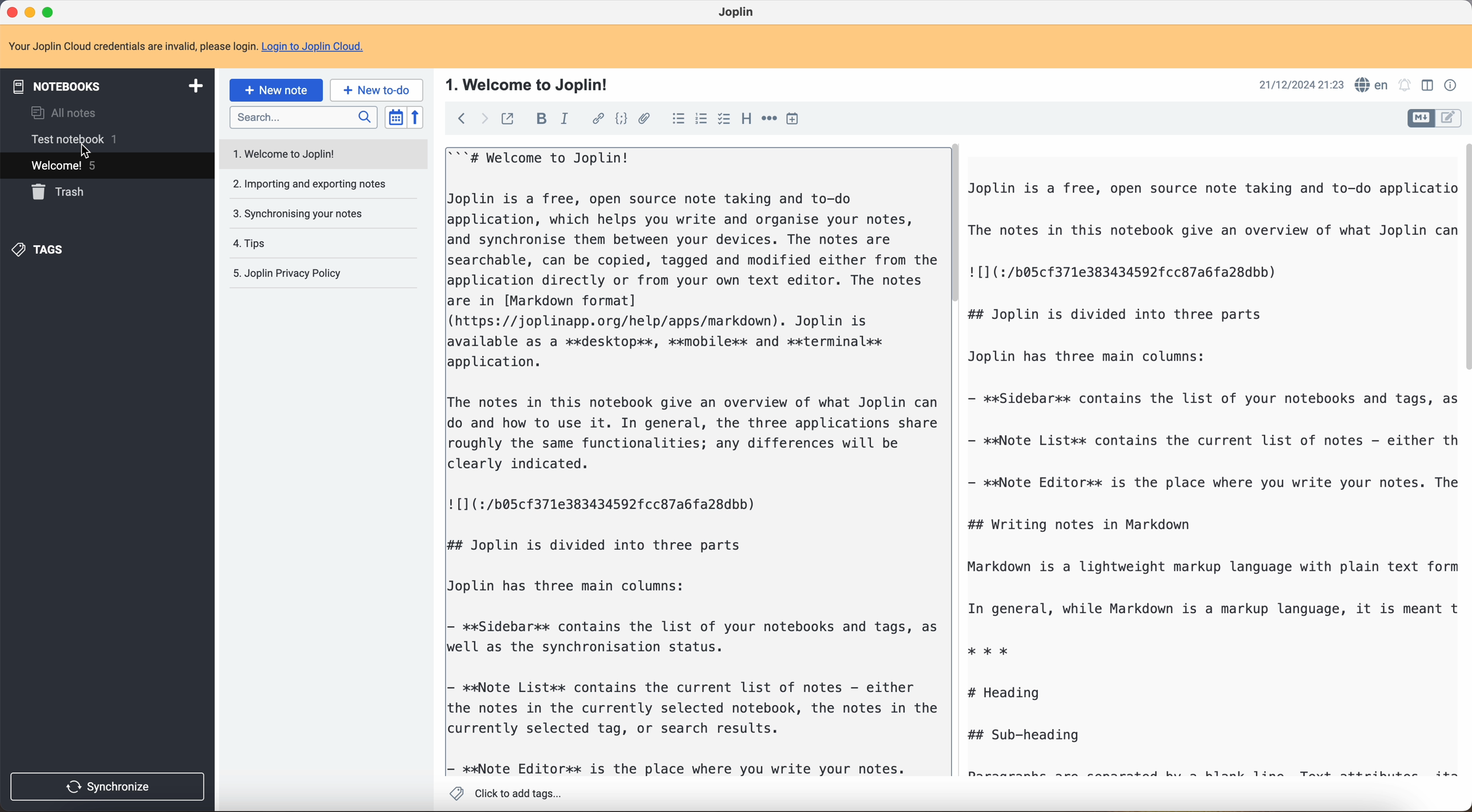  I want to click on all notes, so click(69, 114).